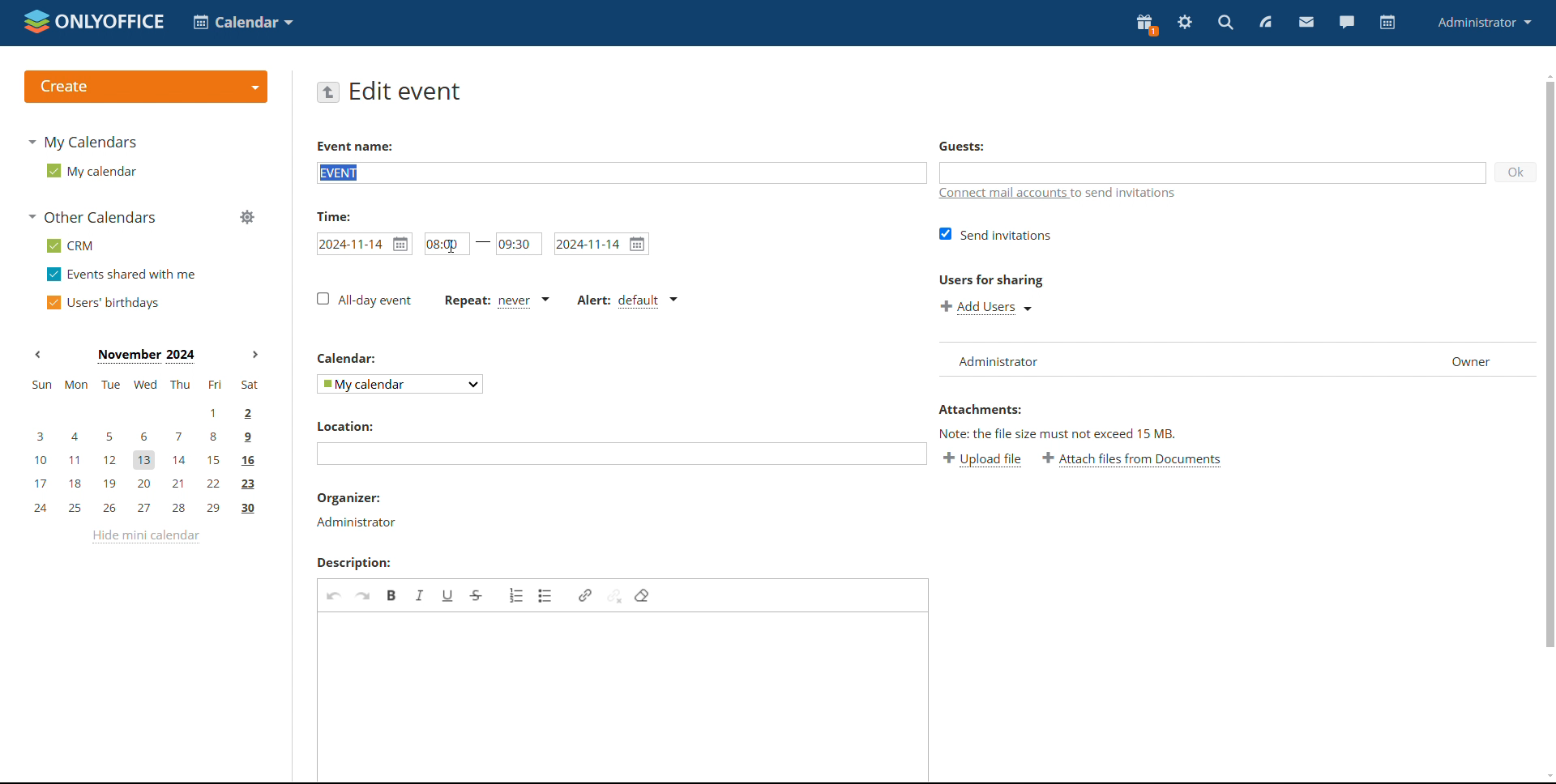 The width and height of the screenshot is (1556, 784). I want to click on hide mini calendar, so click(144, 537).